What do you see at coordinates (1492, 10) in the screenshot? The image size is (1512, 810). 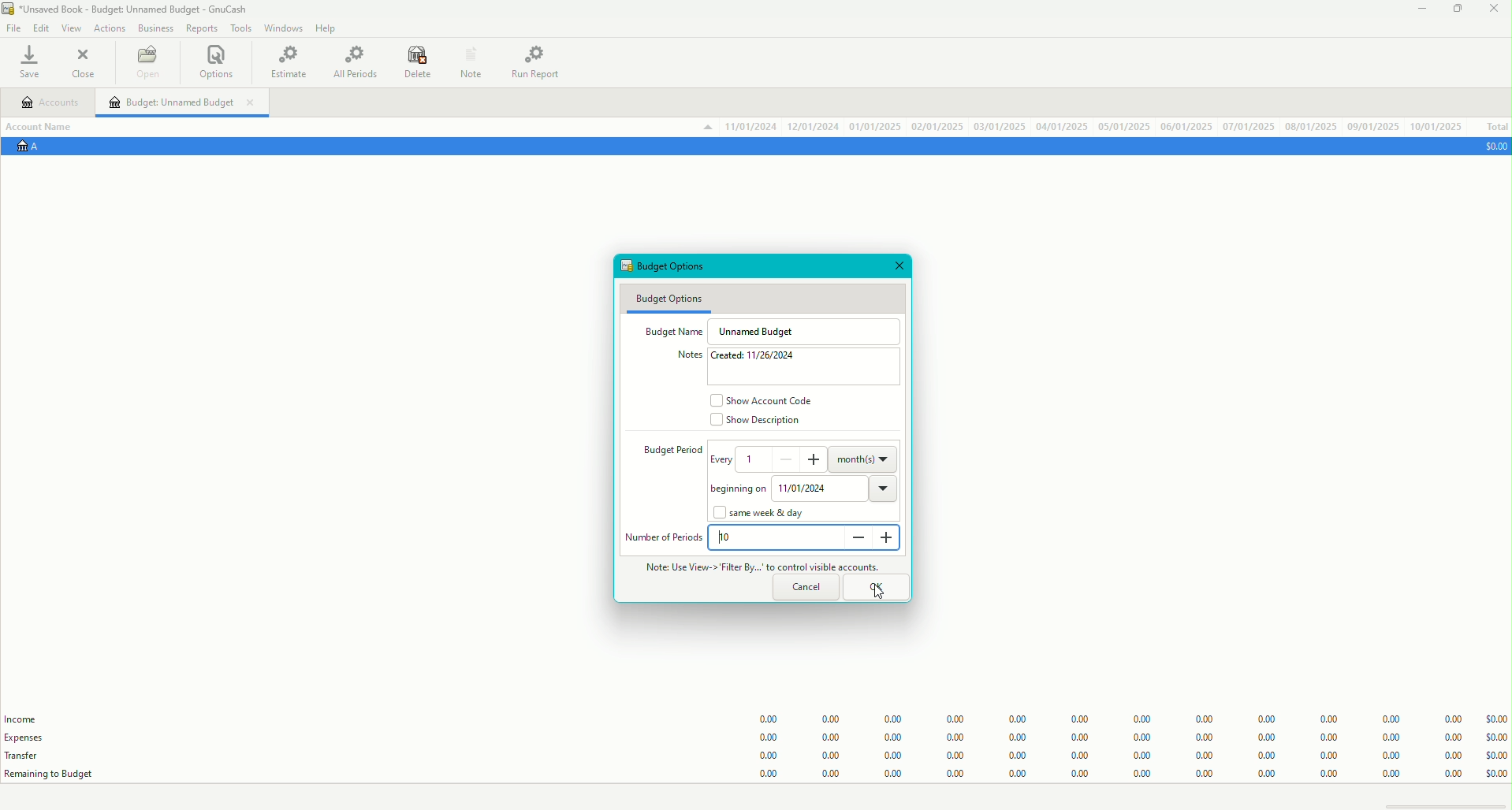 I see `Close` at bounding box center [1492, 10].